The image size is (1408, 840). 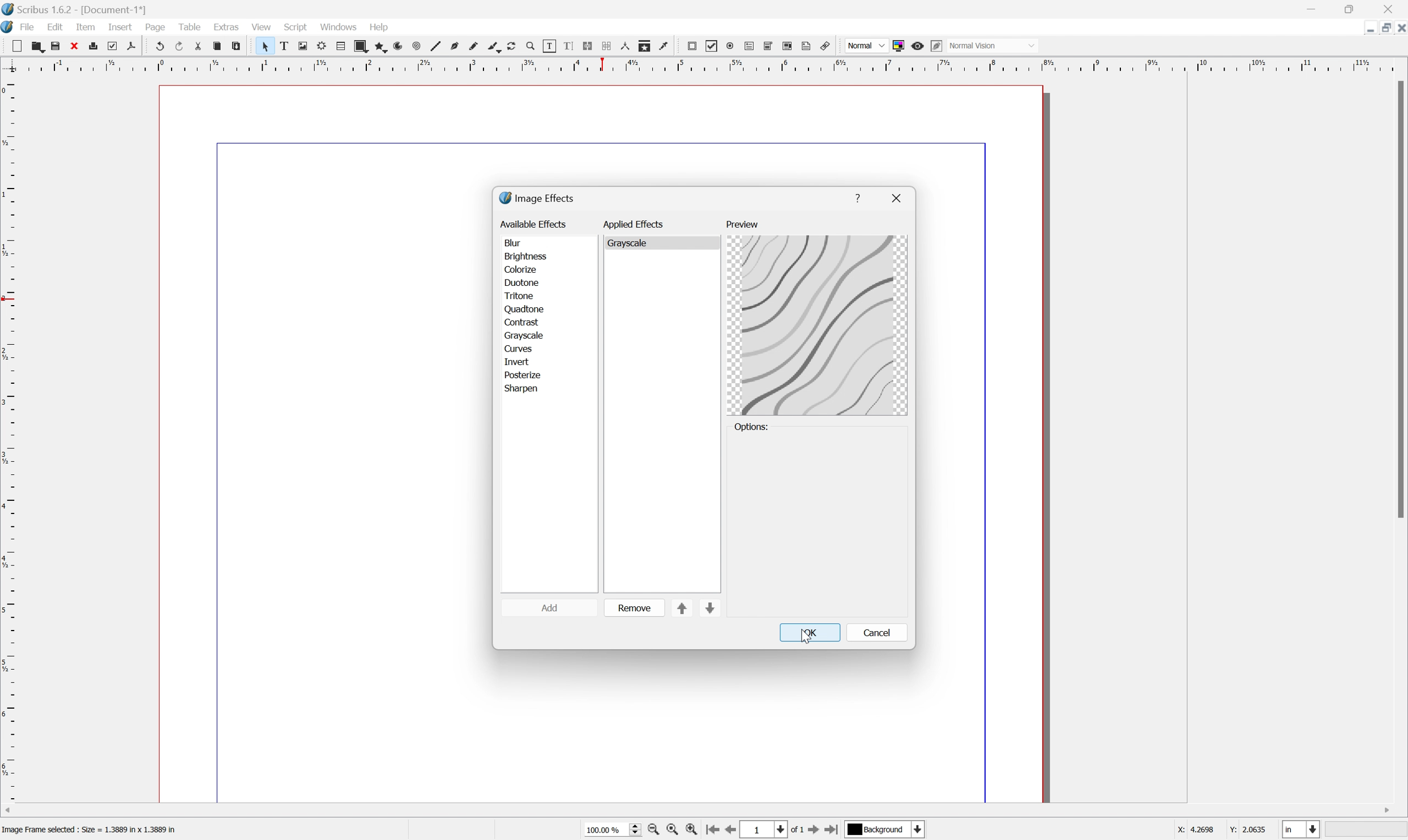 What do you see at coordinates (439, 47) in the screenshot?
I see `Line` at bounding box center [439, 47].